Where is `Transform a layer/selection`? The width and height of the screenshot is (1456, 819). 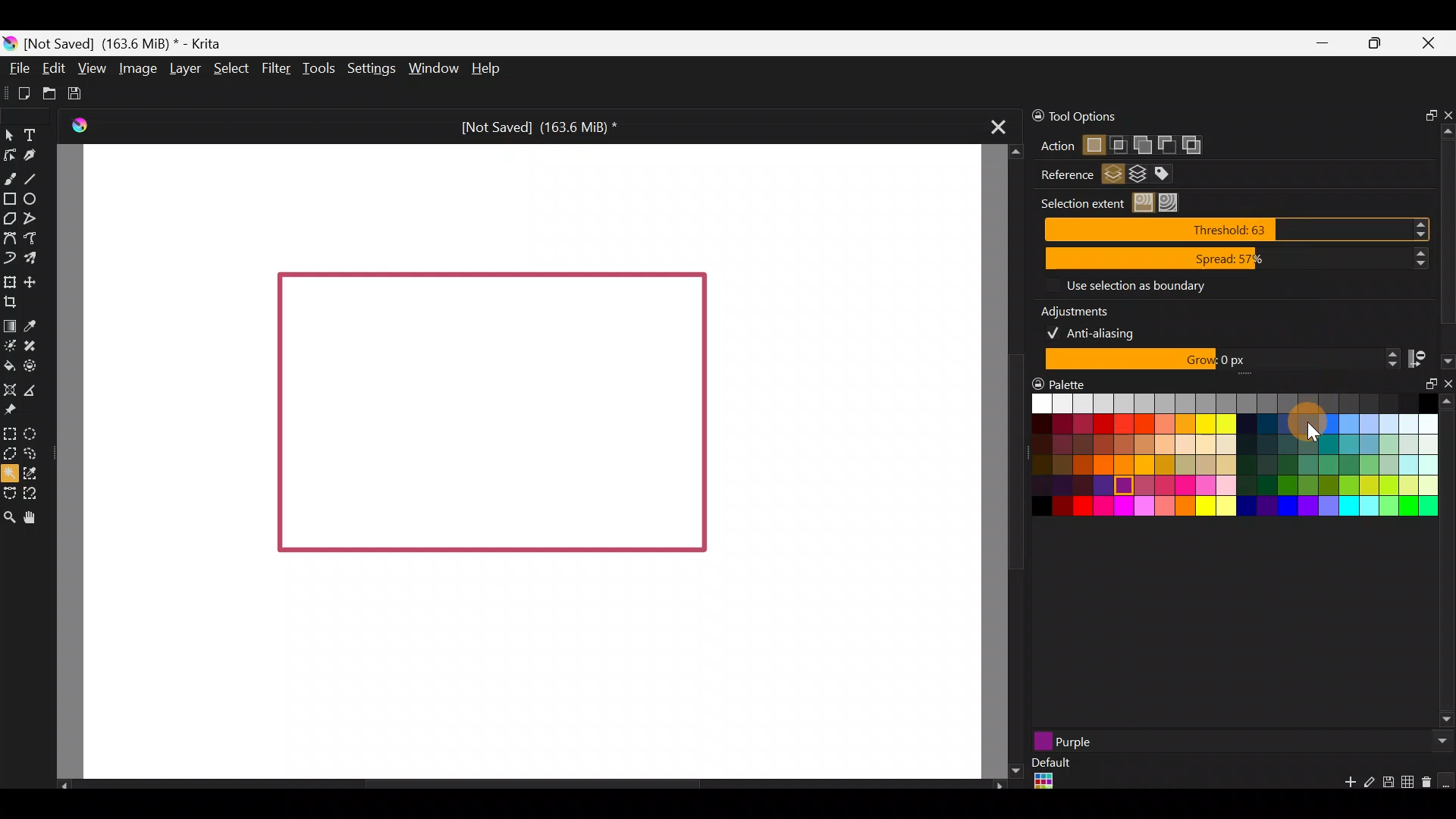
Transform a layer/selection is located at coordinates (9, 280).